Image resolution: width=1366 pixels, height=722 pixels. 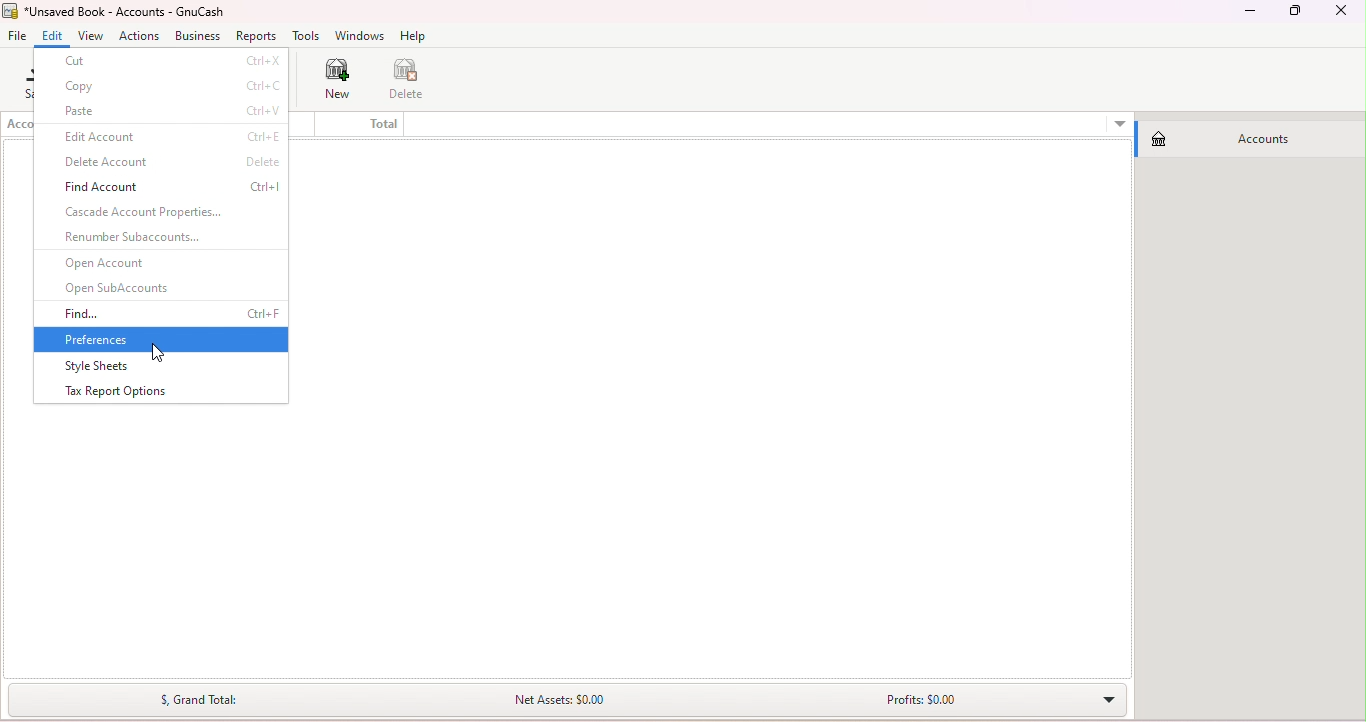 I want to click on New, so click(x=339, y=81).